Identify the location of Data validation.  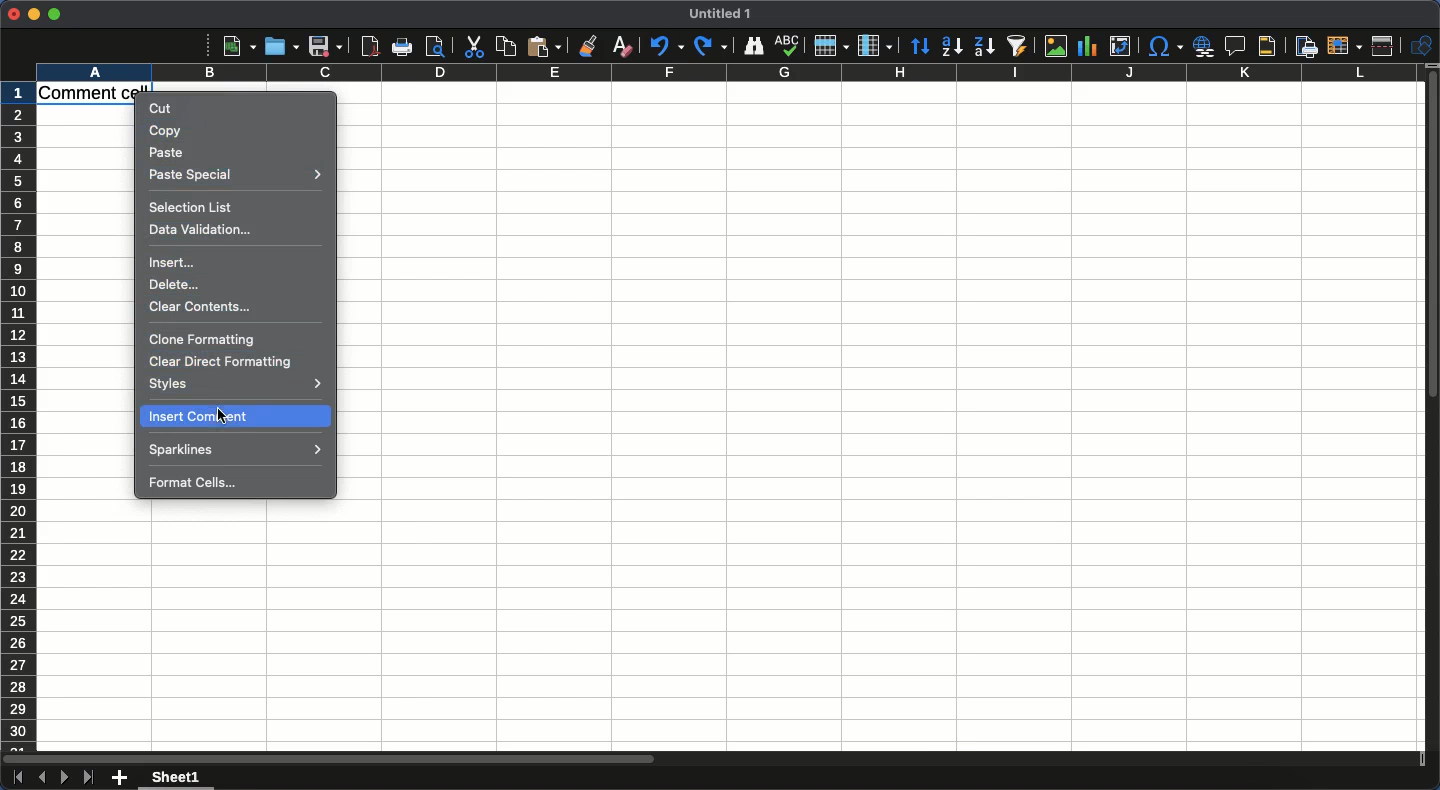
(216, 230).